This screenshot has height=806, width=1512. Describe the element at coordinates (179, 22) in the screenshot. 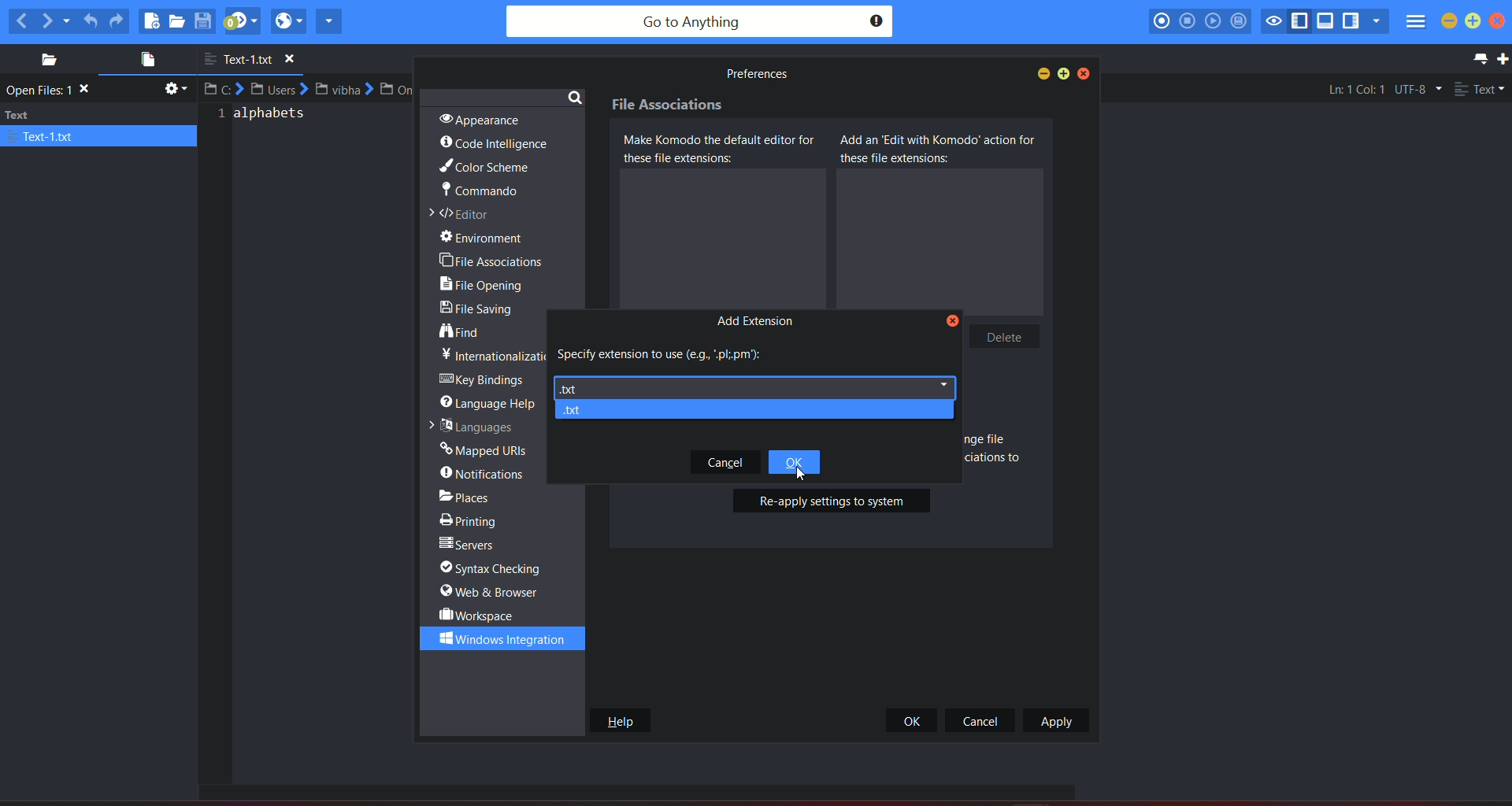

I see `open file` at that location.